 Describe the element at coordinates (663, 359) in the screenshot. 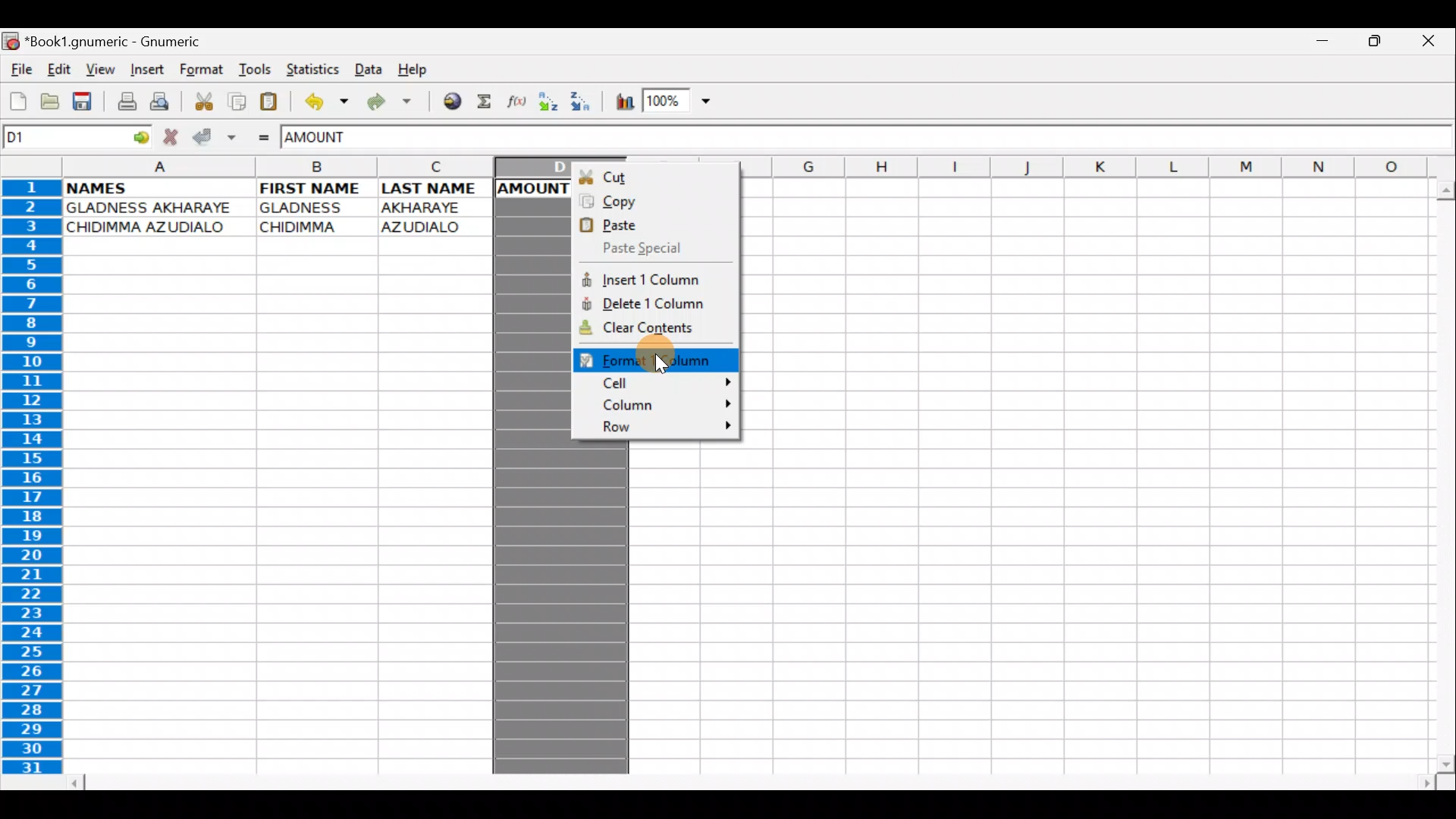

I see `Format 1 column` at that location.